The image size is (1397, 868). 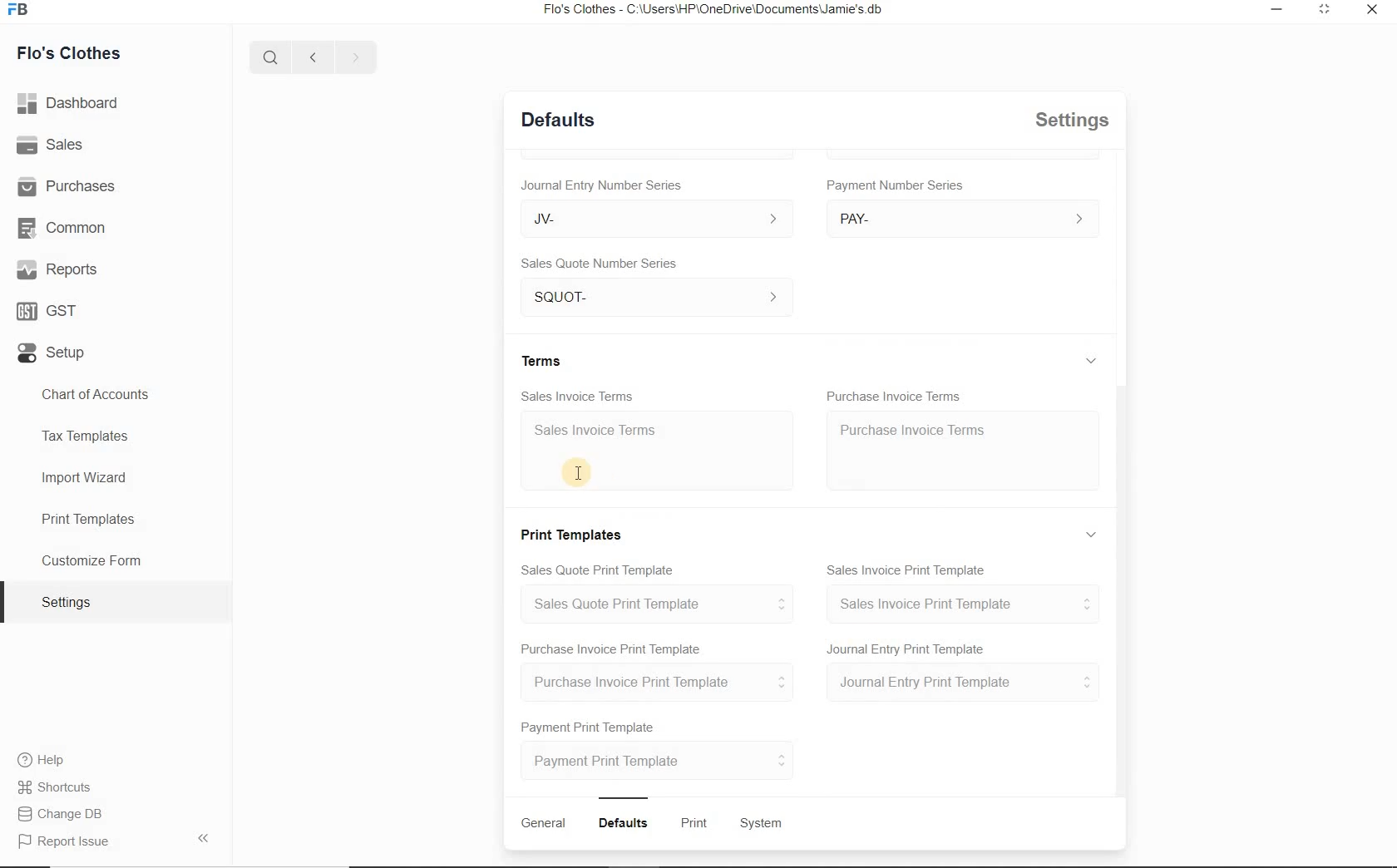 I want to click on Shortcuts, so click(x=56, y=787).